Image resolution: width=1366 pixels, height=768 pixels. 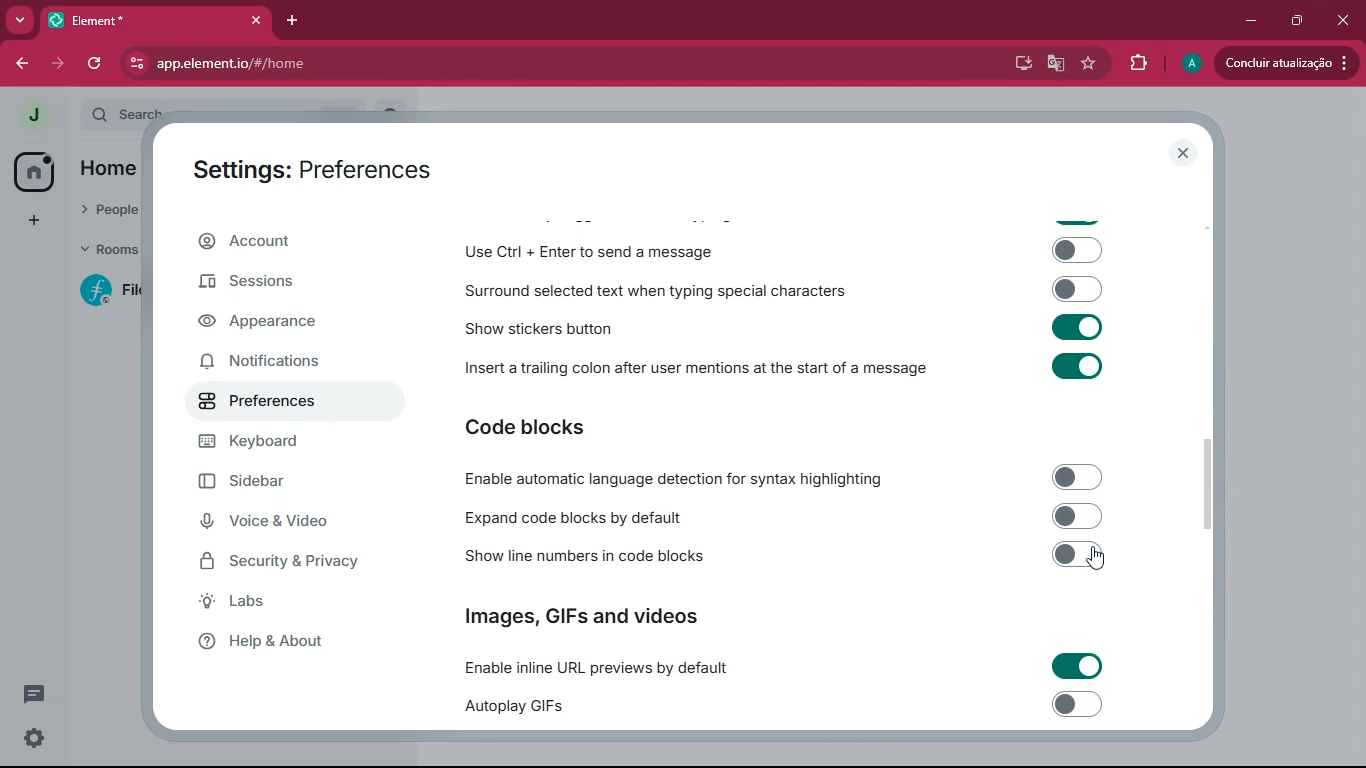 What do you see at coordinates (281, 282) in the screenshot?
I see `sessions` at bounding box center [281, 282].